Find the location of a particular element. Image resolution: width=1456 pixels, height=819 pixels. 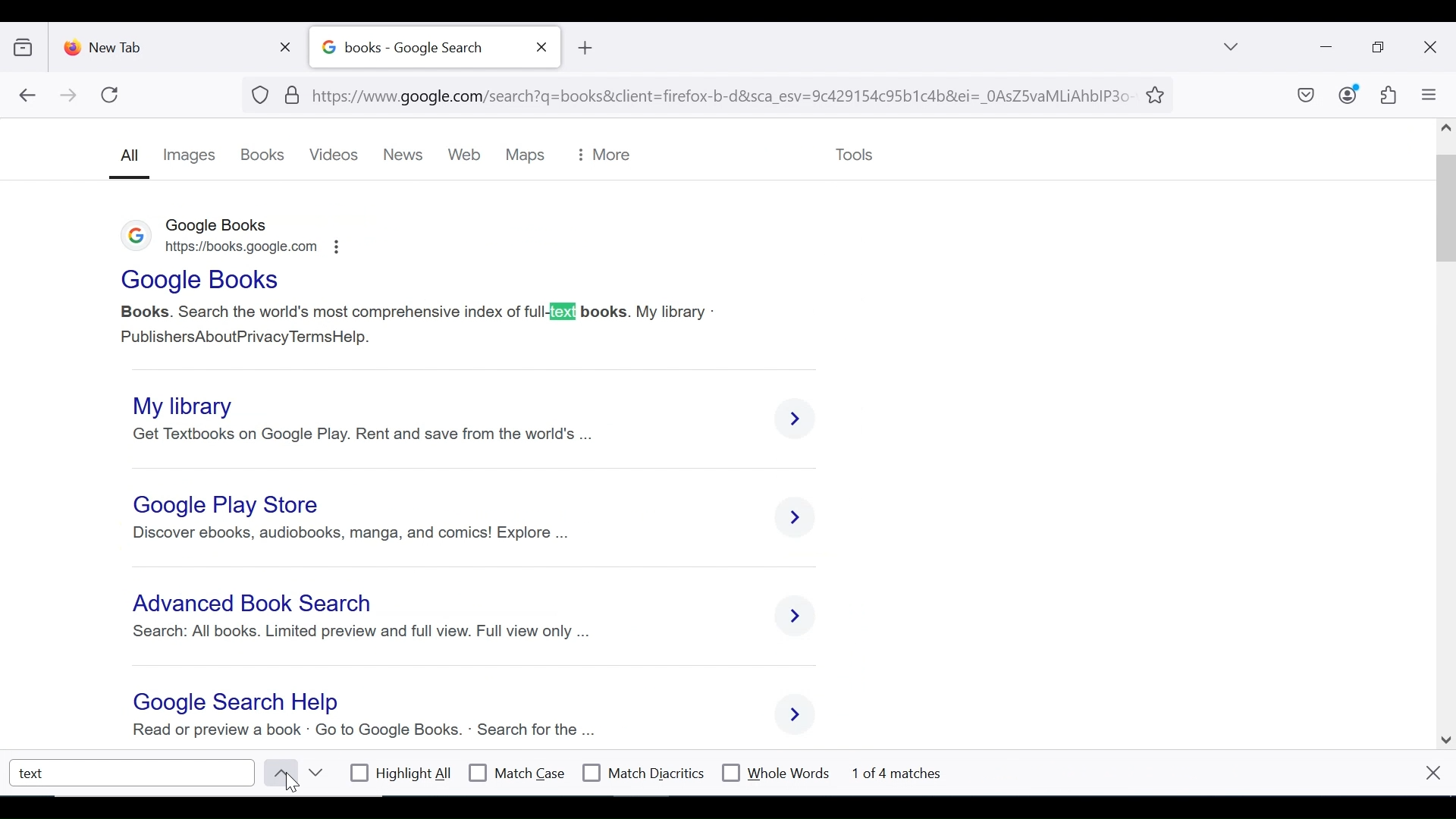

match case is located at coordinates (518, 773).